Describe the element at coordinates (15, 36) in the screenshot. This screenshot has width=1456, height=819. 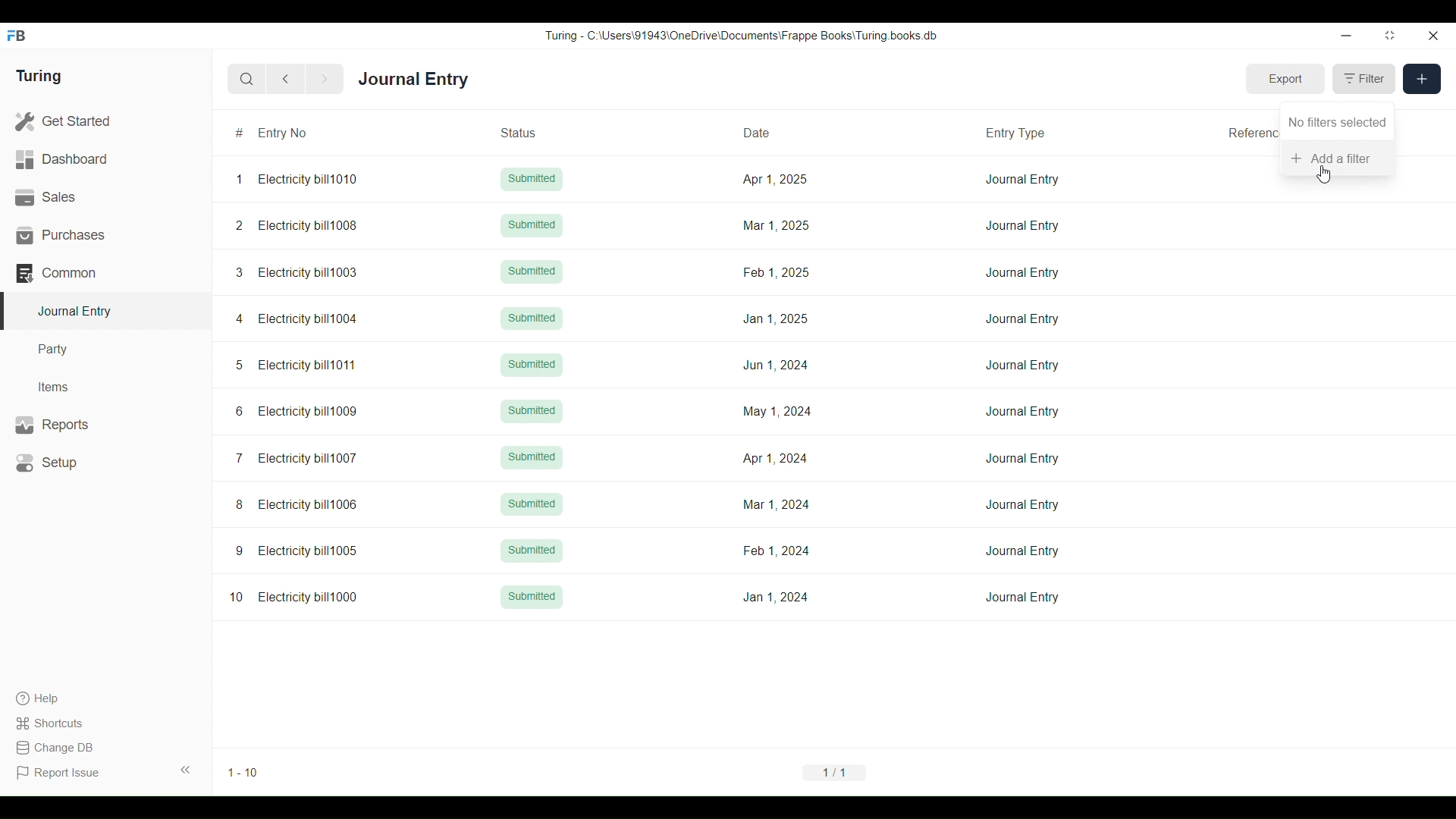
I see `Frappe Books logo` at that location.